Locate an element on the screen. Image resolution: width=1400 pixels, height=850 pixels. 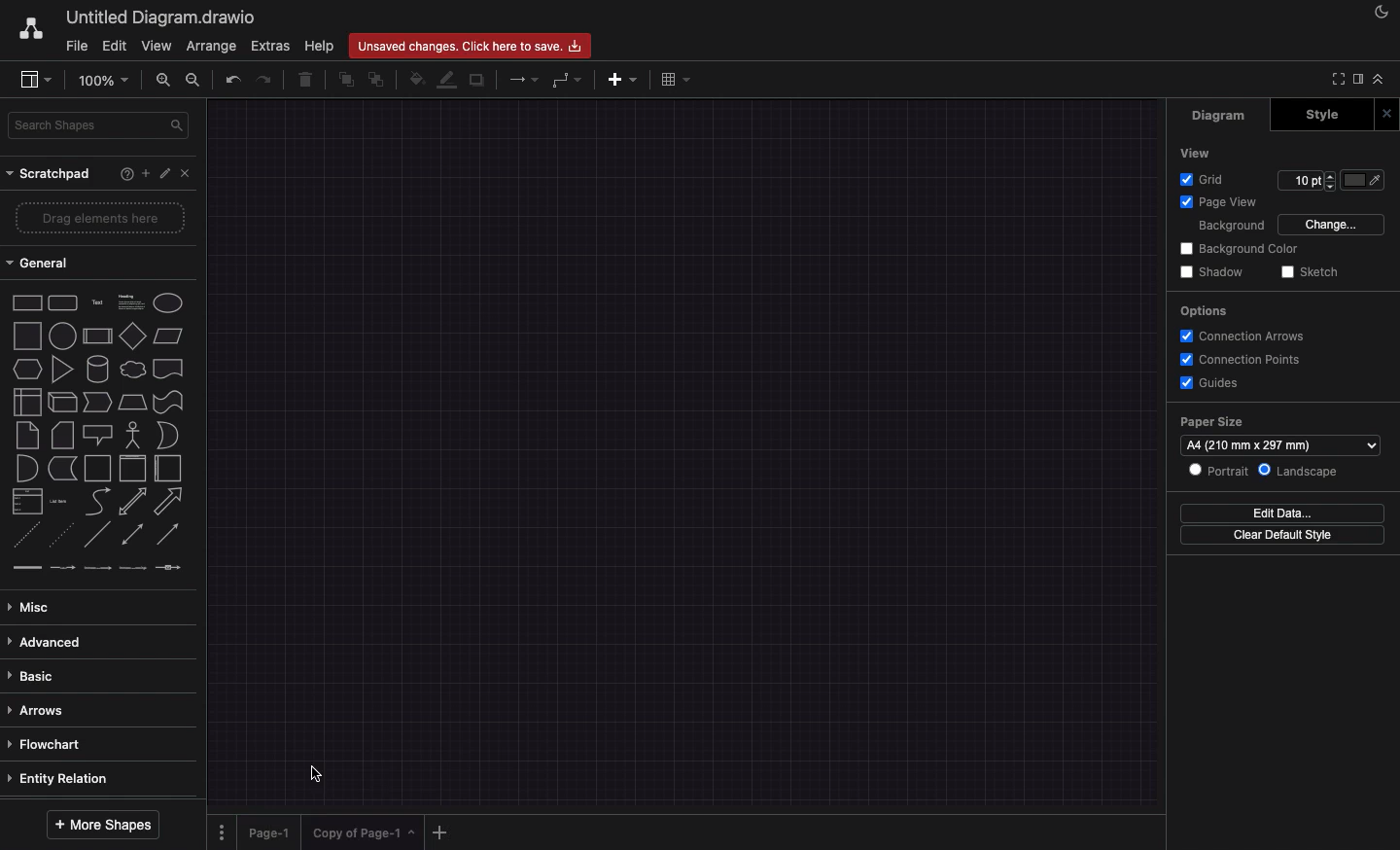
callout is located at coordinates (99, 435).